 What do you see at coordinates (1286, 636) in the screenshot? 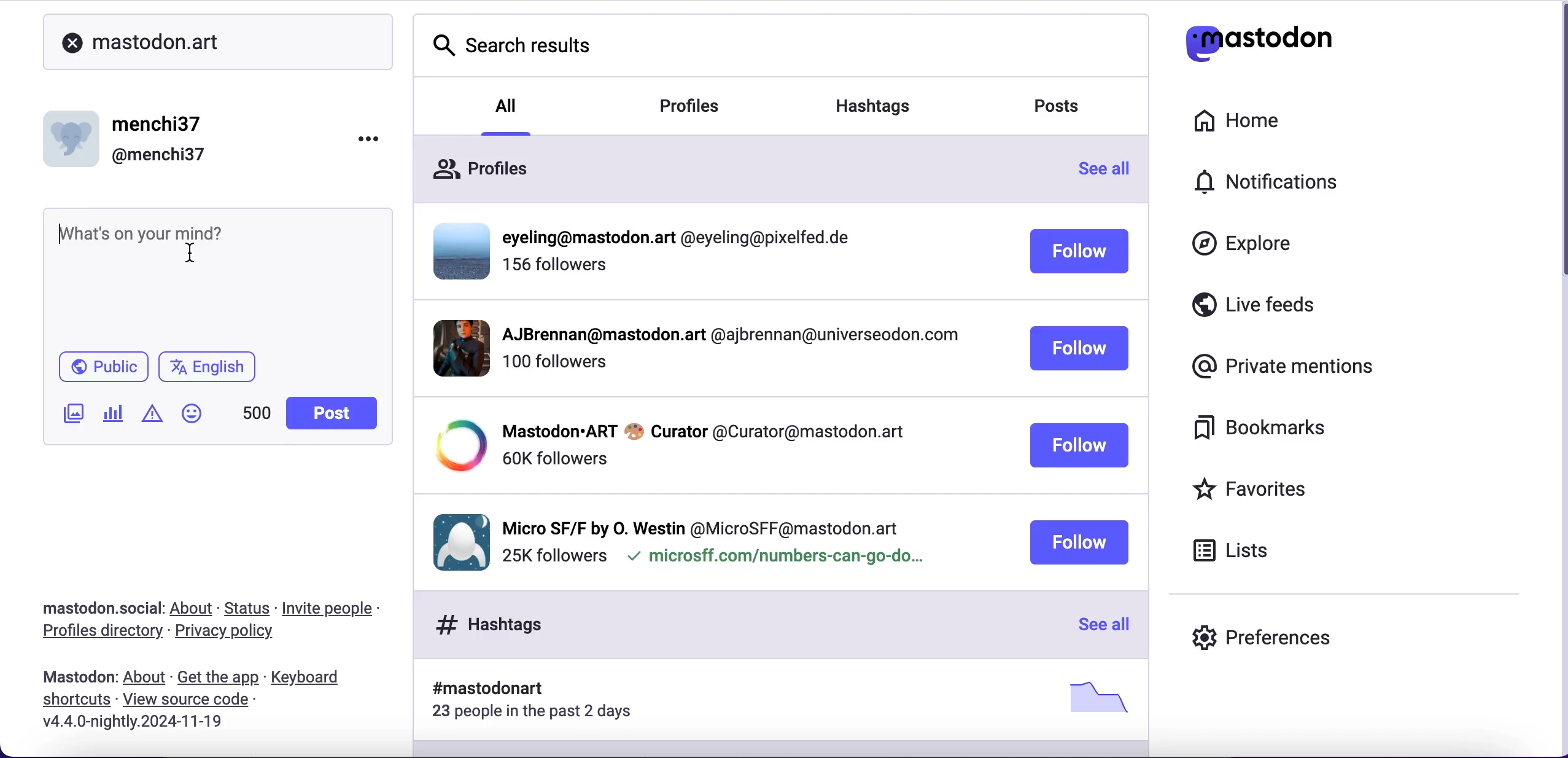
I see `preferences` at bounding box center [1286, 636].